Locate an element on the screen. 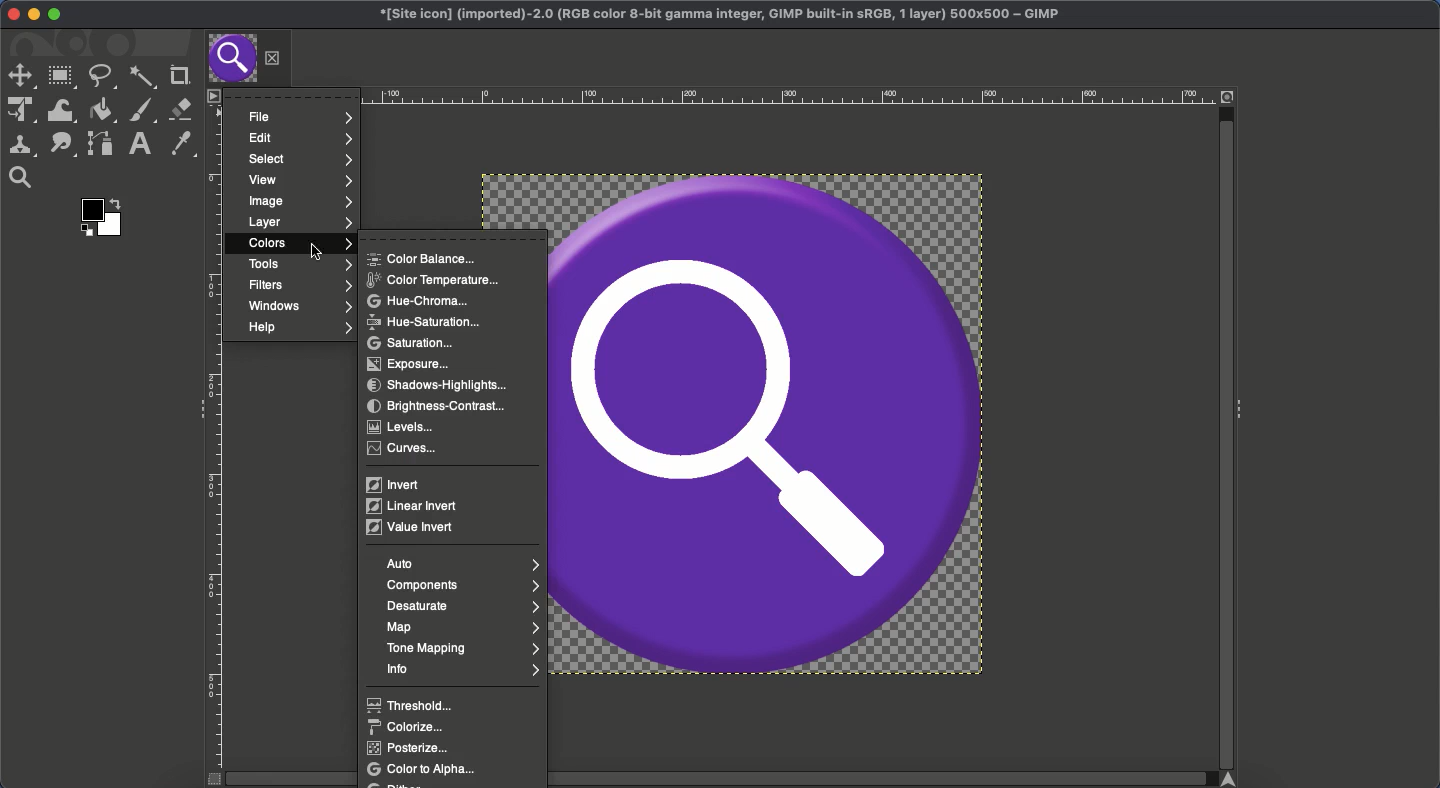 Image resolution: width=1440 pixels, height=788 pixels. Close is located at coordinates (12, 13).